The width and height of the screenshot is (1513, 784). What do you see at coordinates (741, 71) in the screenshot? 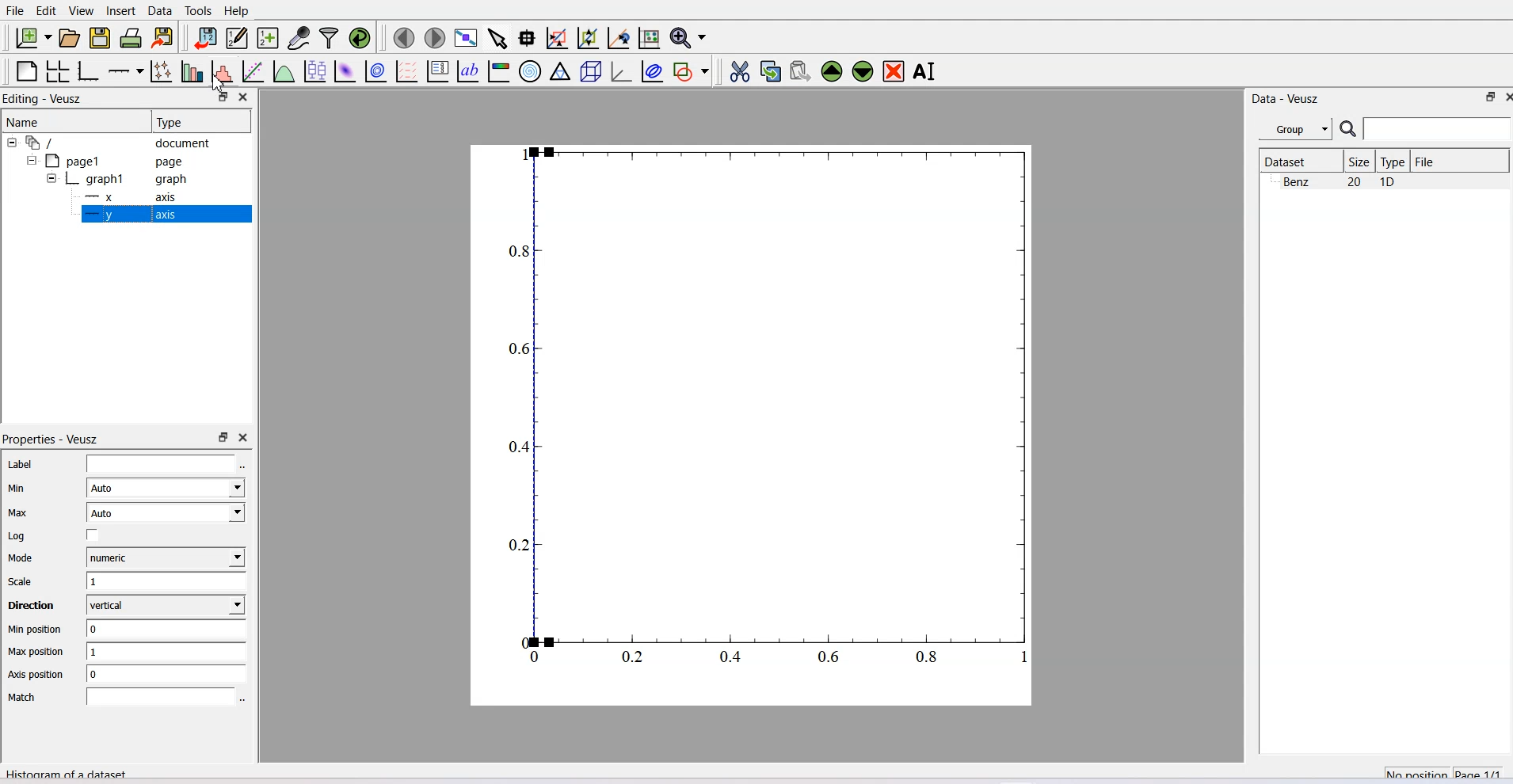
I see `Cut the selected widget` at bounding box center [741, 71].